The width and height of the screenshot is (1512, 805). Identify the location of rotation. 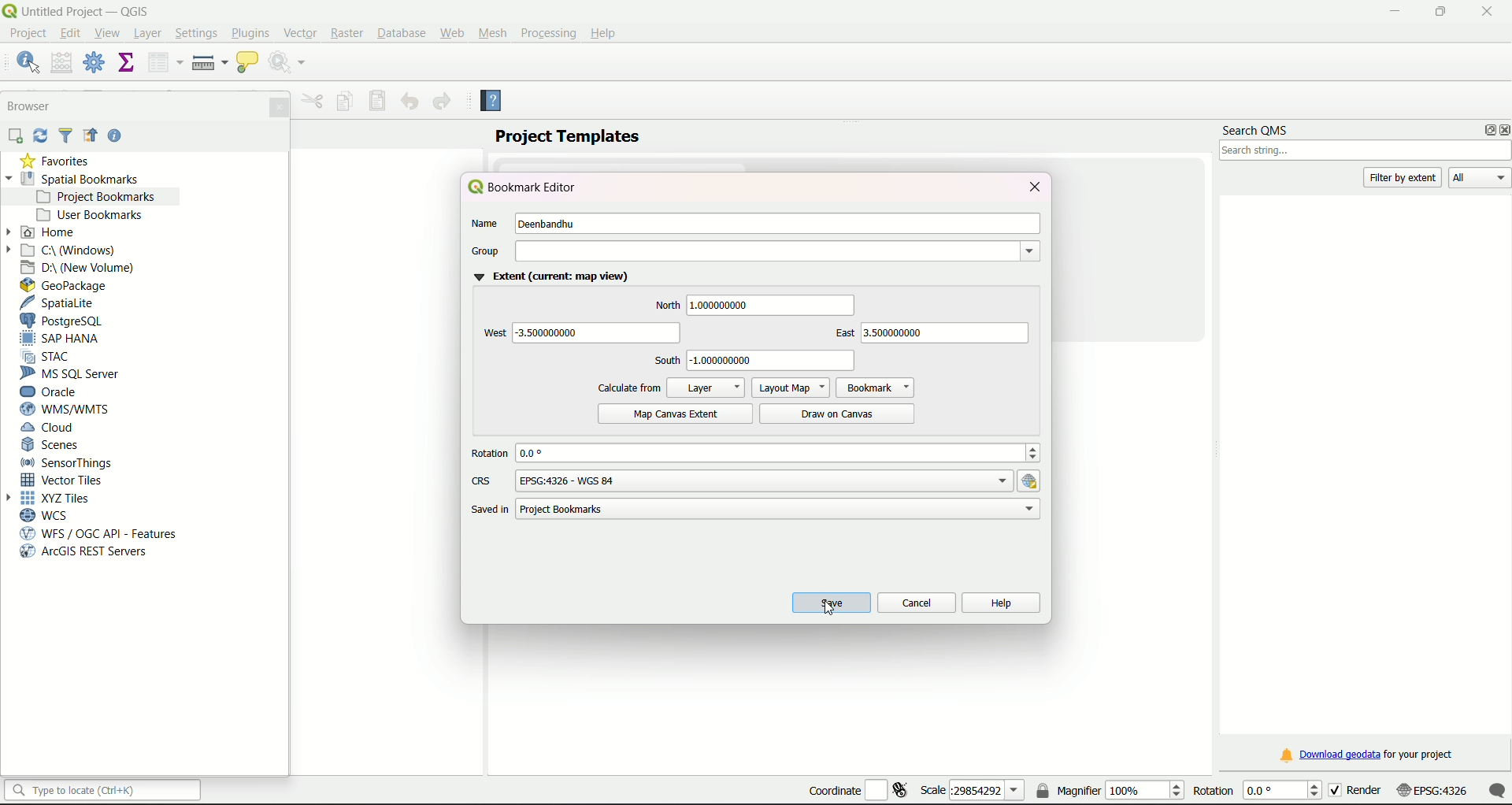
(752, 453).